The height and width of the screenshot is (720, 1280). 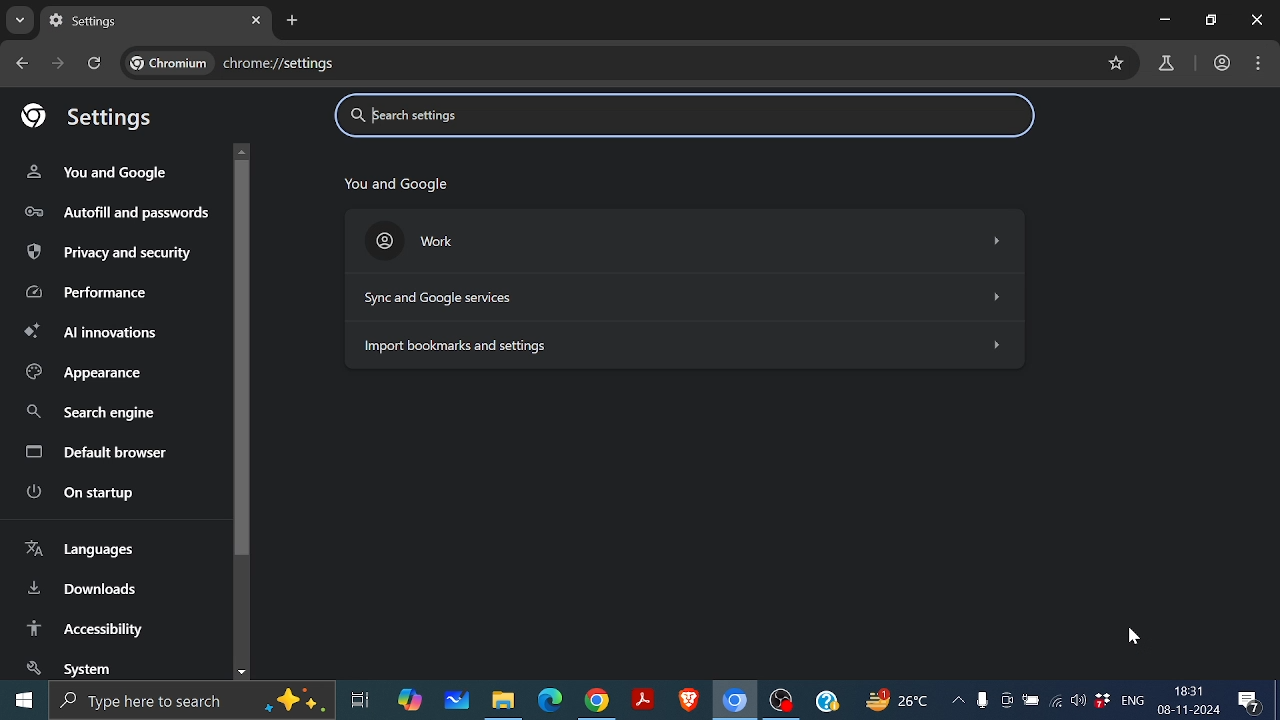 What do you see at coordinates (682, 346) in the screenshot?
I see `Import bookmarks and settings` at bounding box center [682, 346].